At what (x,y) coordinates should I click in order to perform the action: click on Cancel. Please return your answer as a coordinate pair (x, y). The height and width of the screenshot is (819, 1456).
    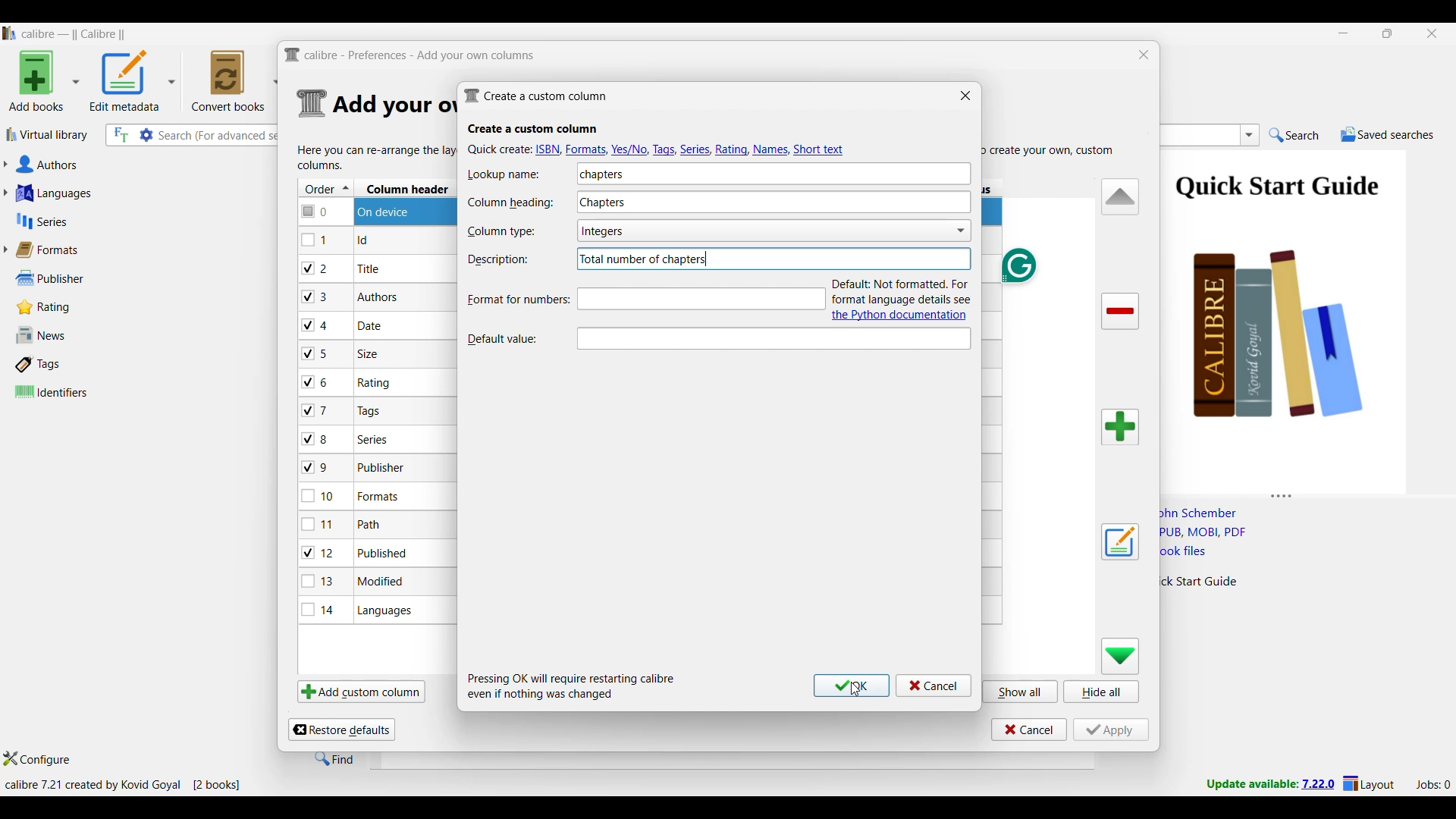
    Looking at the image, I should click on (934, 686).